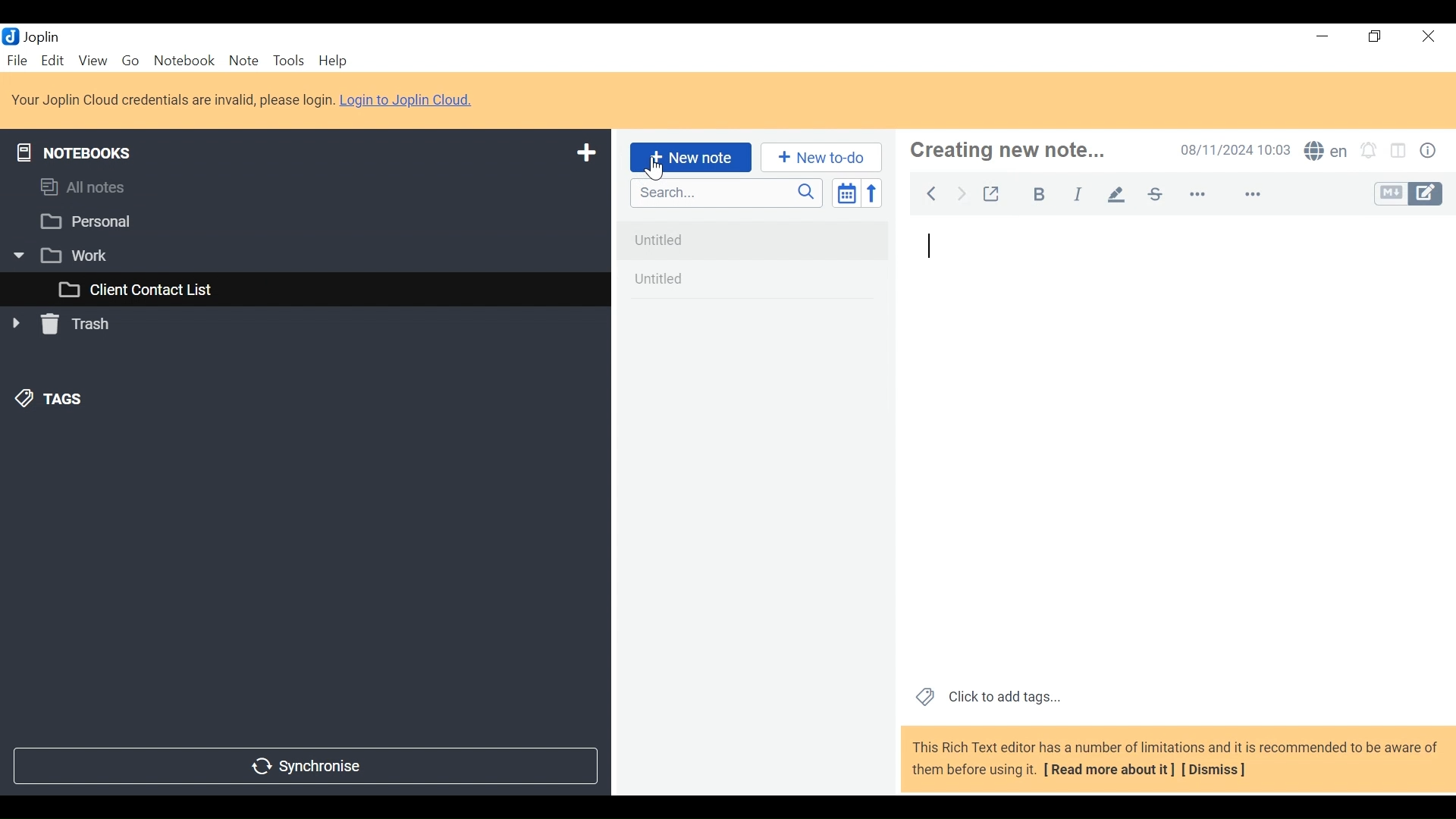 This screenshot has height=819, width=1456. I want to click on more, so click(1226, 195).